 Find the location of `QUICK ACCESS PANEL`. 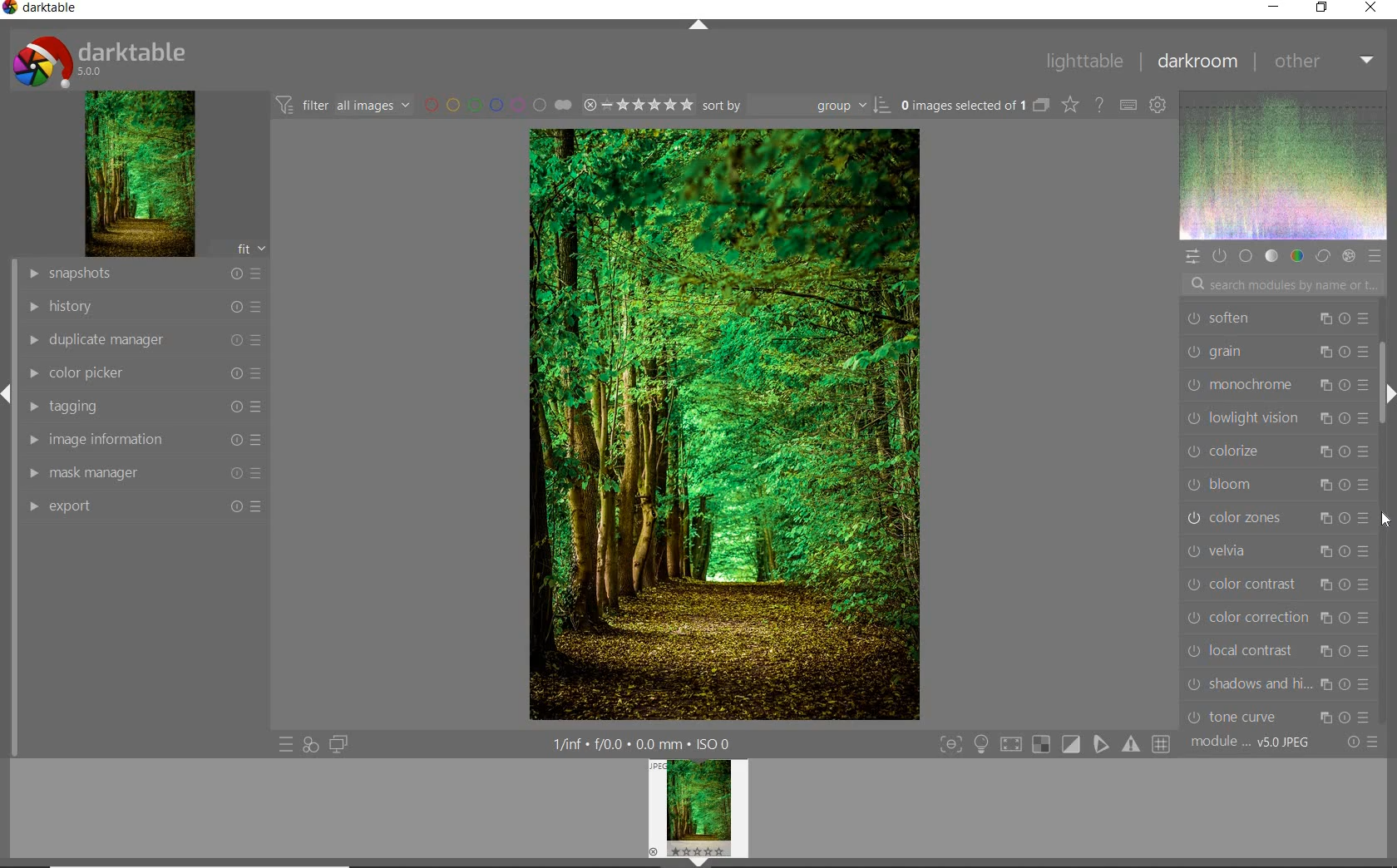

QUICK ACCESS PANEL is located at coordinates (1193, 256).